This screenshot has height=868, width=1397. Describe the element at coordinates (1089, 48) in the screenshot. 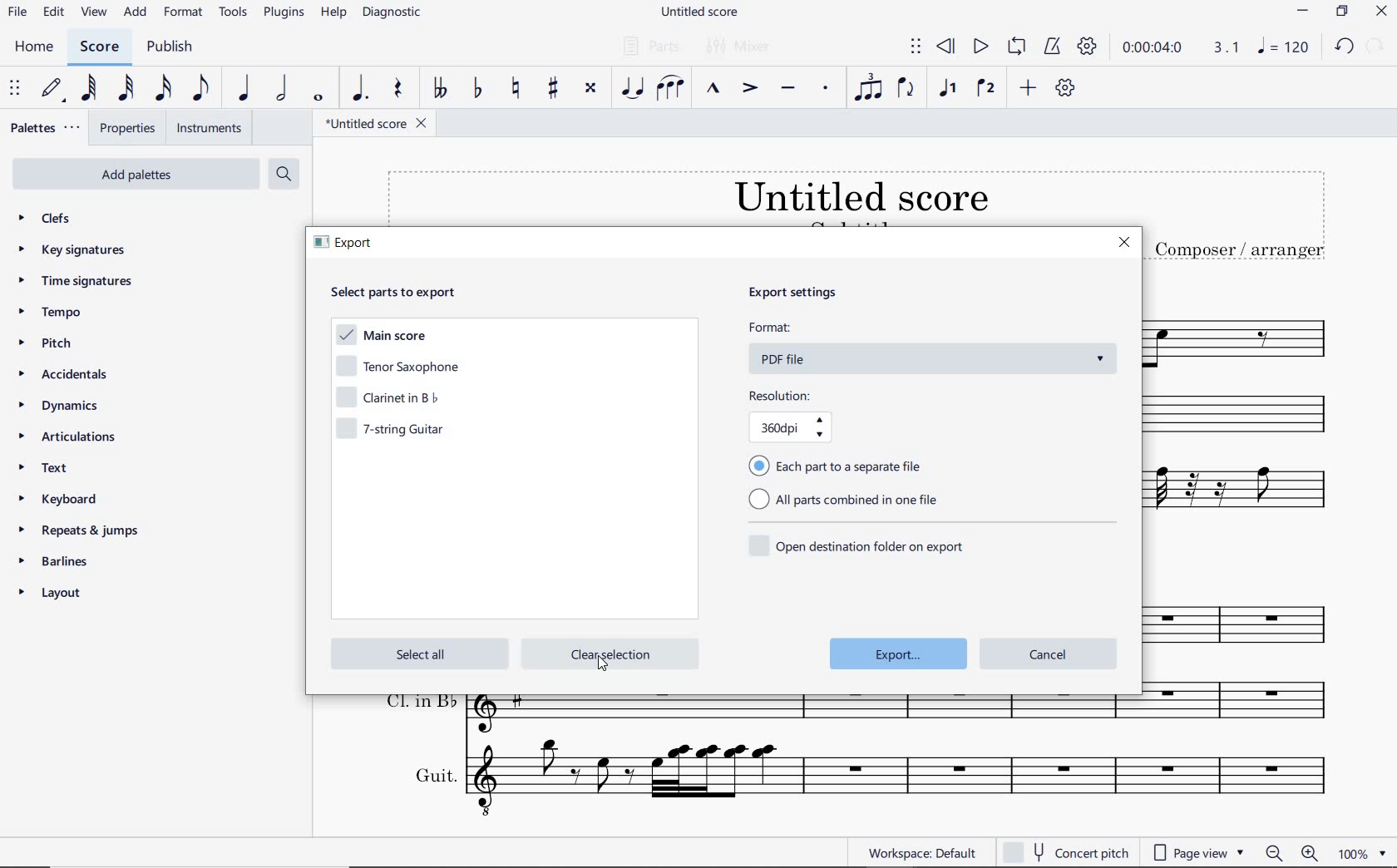

I see `PLAYBACK SETTINGS` at that location.